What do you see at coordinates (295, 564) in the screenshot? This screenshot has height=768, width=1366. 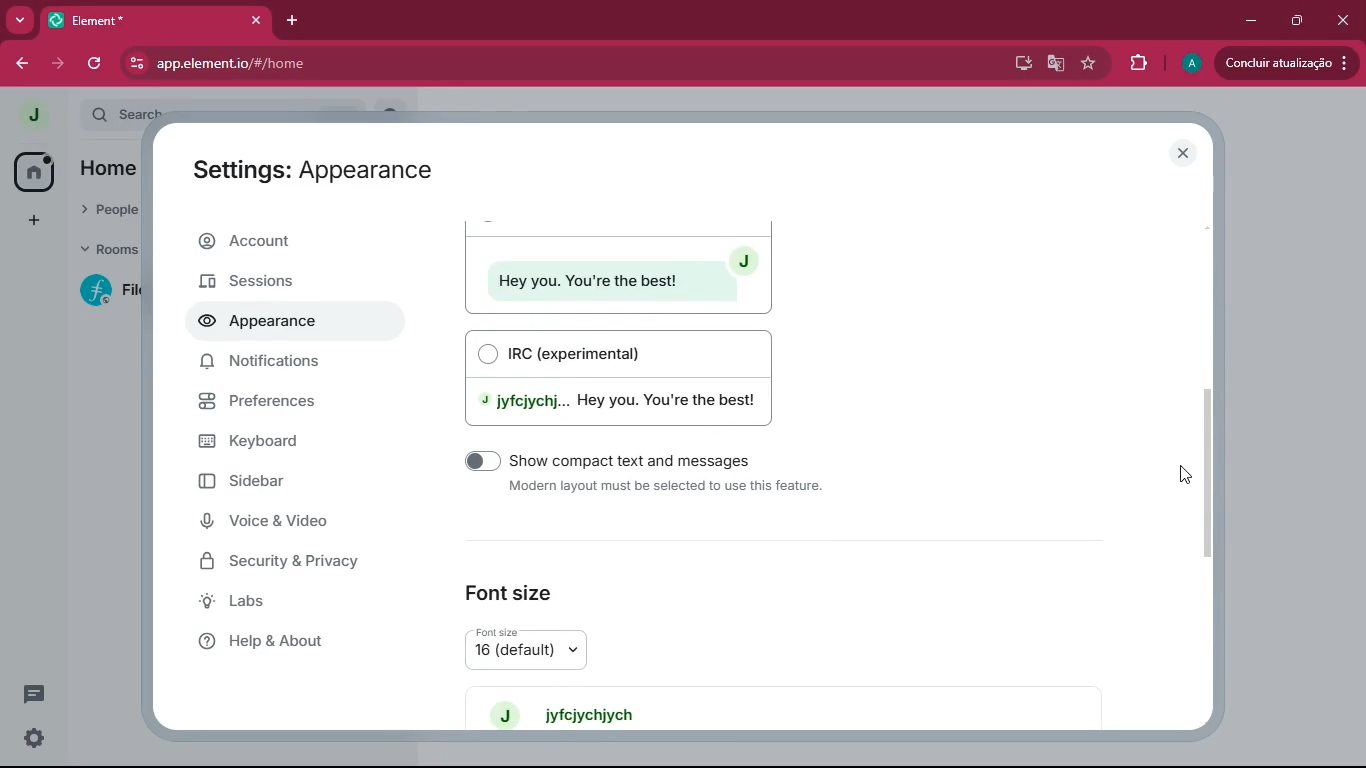 I see `security` at bounding box center [295, 564].